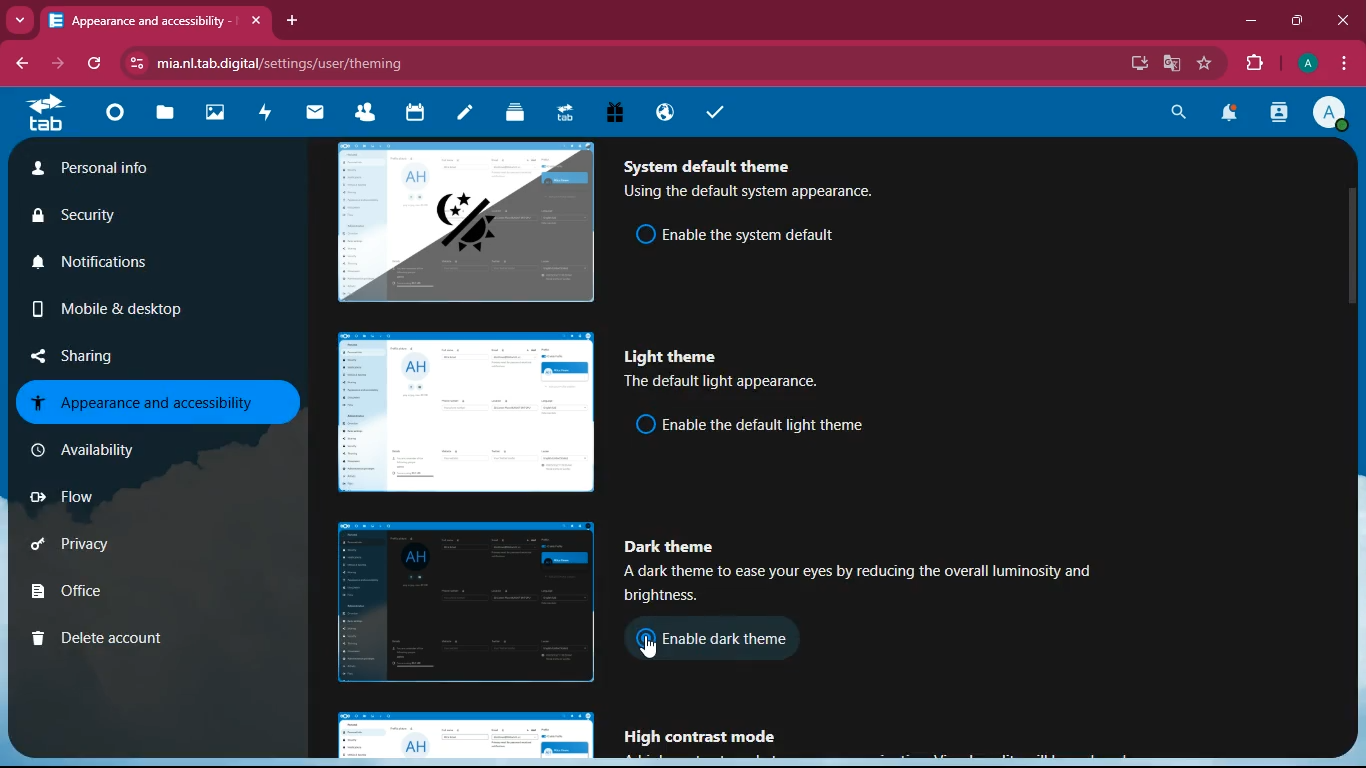 Image resolution: width=1366 pixels, height=768 pixels. I want to click on activity, so click(1278, 114).